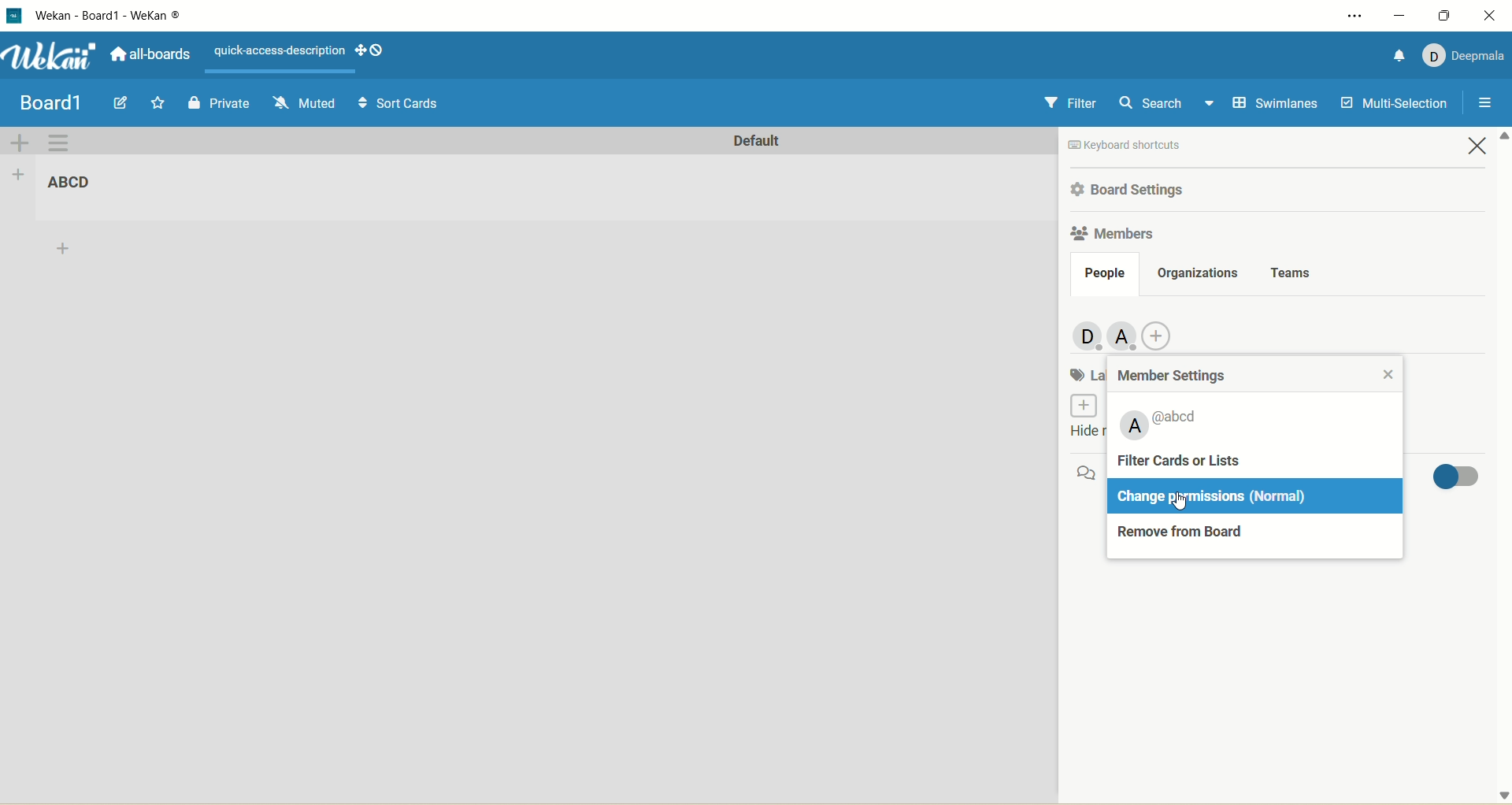 The image size is (1512, 805). What do you see at coordinates (397, 102) in the screenshot?
I see `Sort Cards` at bounding box center [397, 102].